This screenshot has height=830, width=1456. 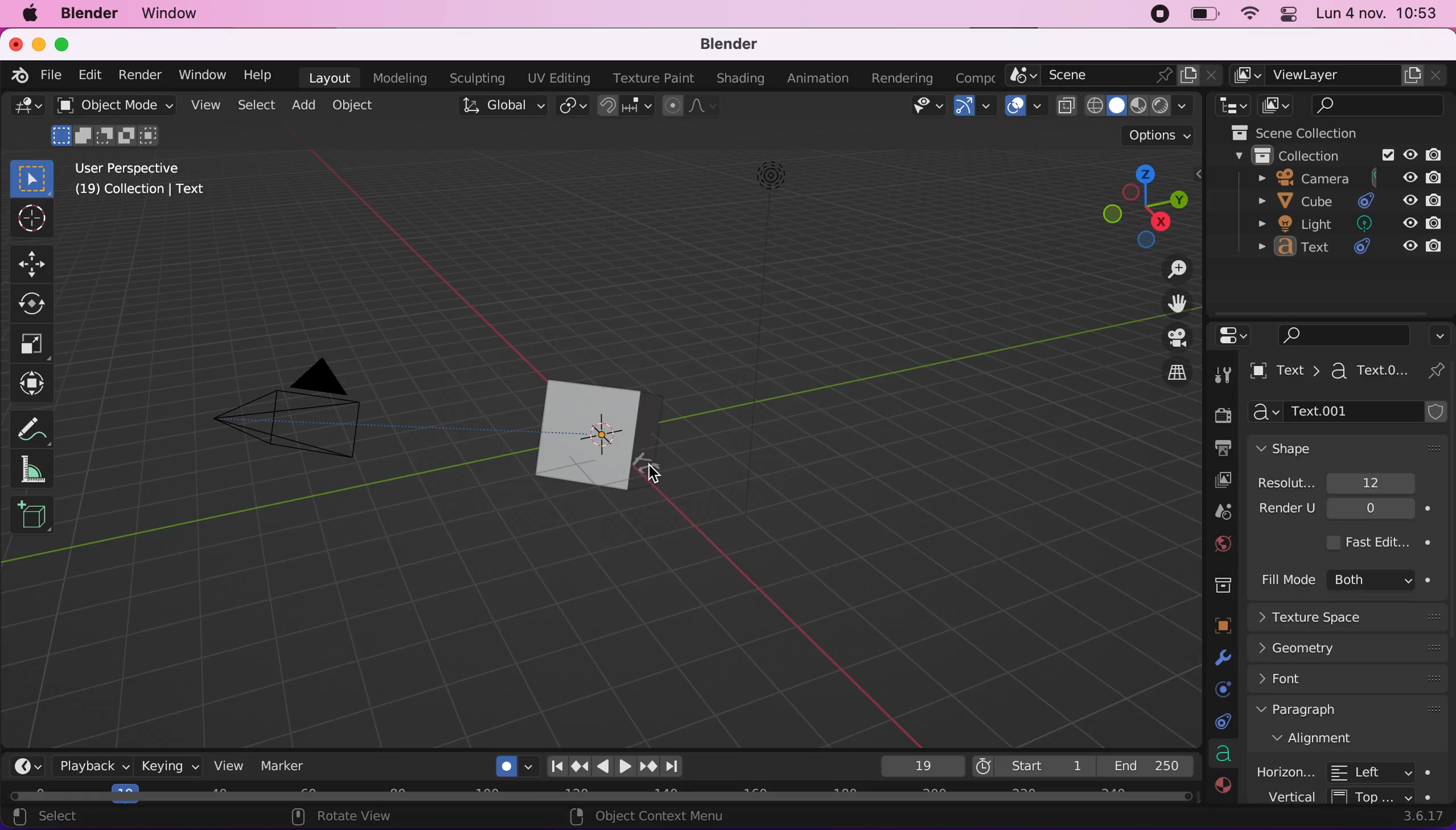 What do you see at coordinates (1214, 481) in the screenshot?
I see `viewlayer` at bounding box center [1214, 481].